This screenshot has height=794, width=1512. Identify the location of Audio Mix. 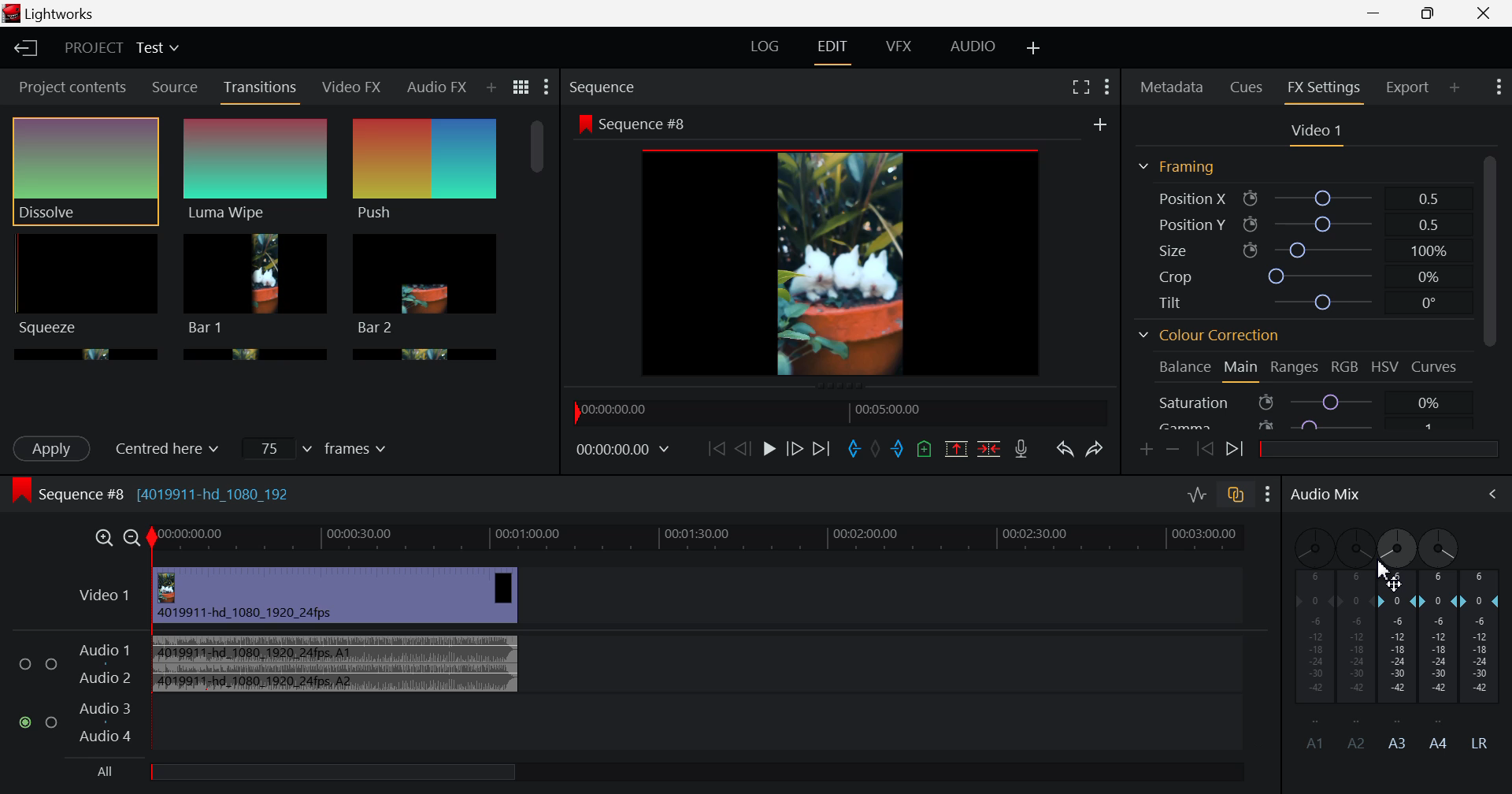
(1324, 497).